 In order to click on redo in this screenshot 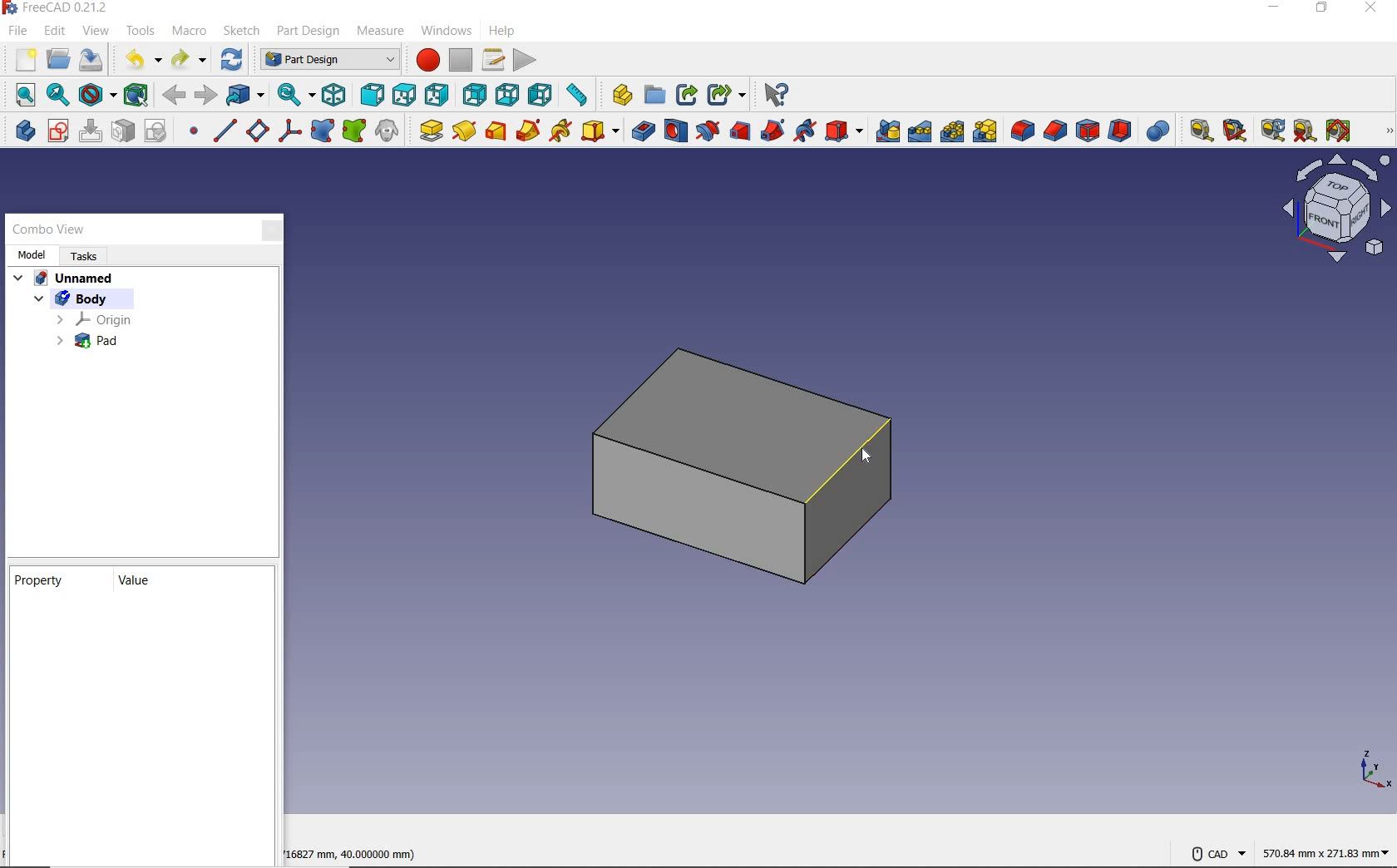, I will do `click(190, 60)`.